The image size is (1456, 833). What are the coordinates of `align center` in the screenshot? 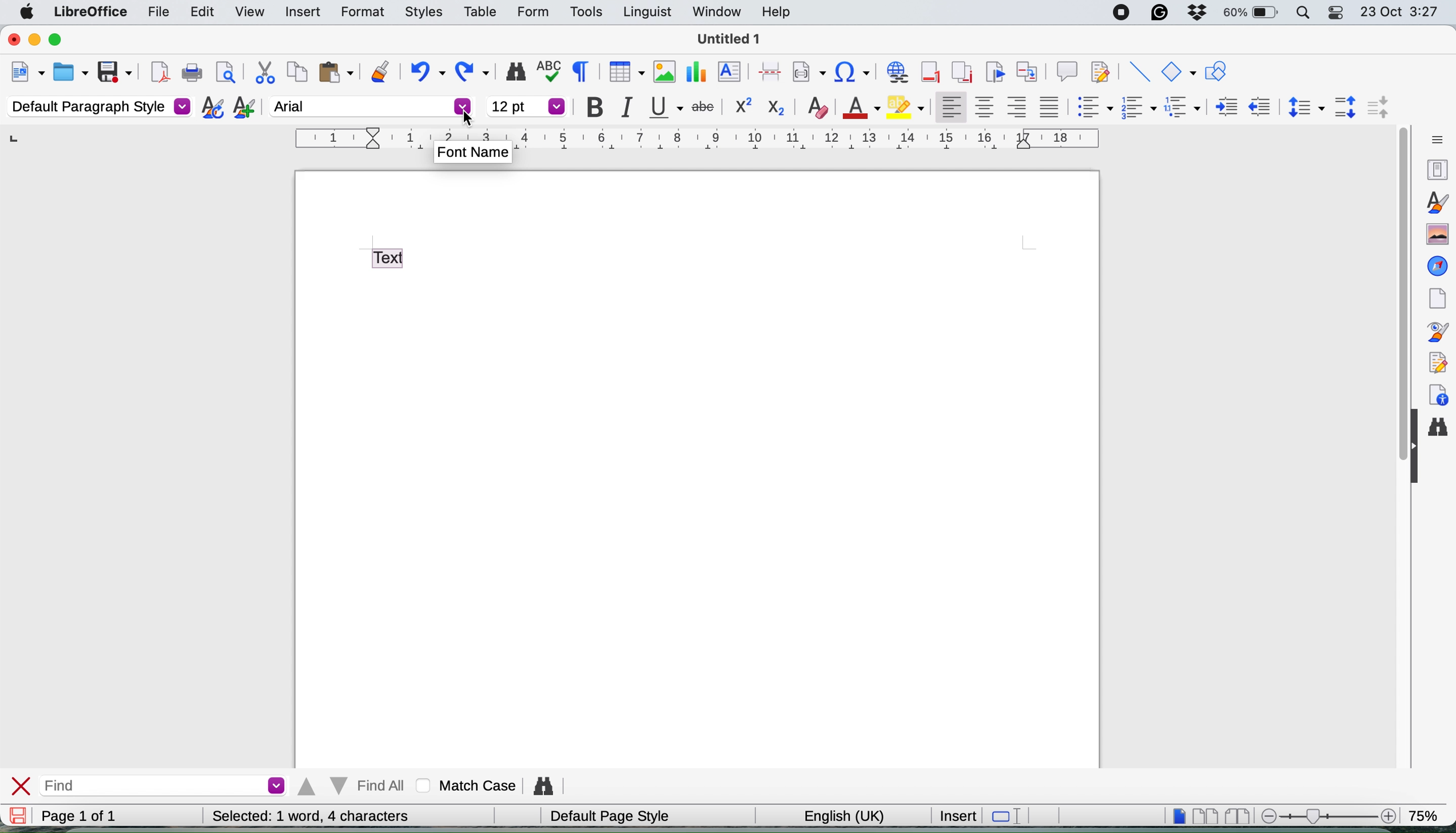 It's located at (985, 108).